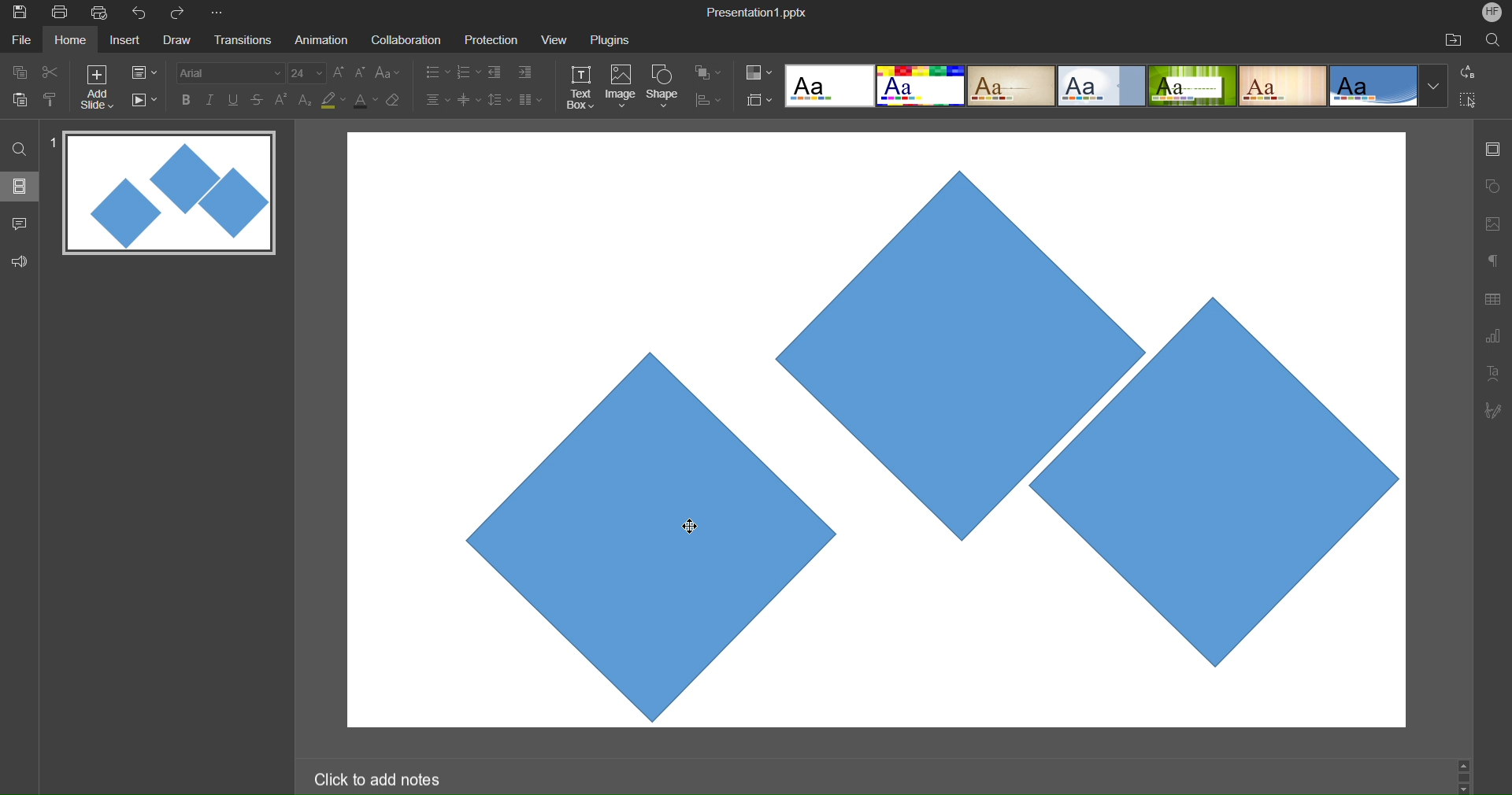  I want to click on Animation, so click(320, 39).